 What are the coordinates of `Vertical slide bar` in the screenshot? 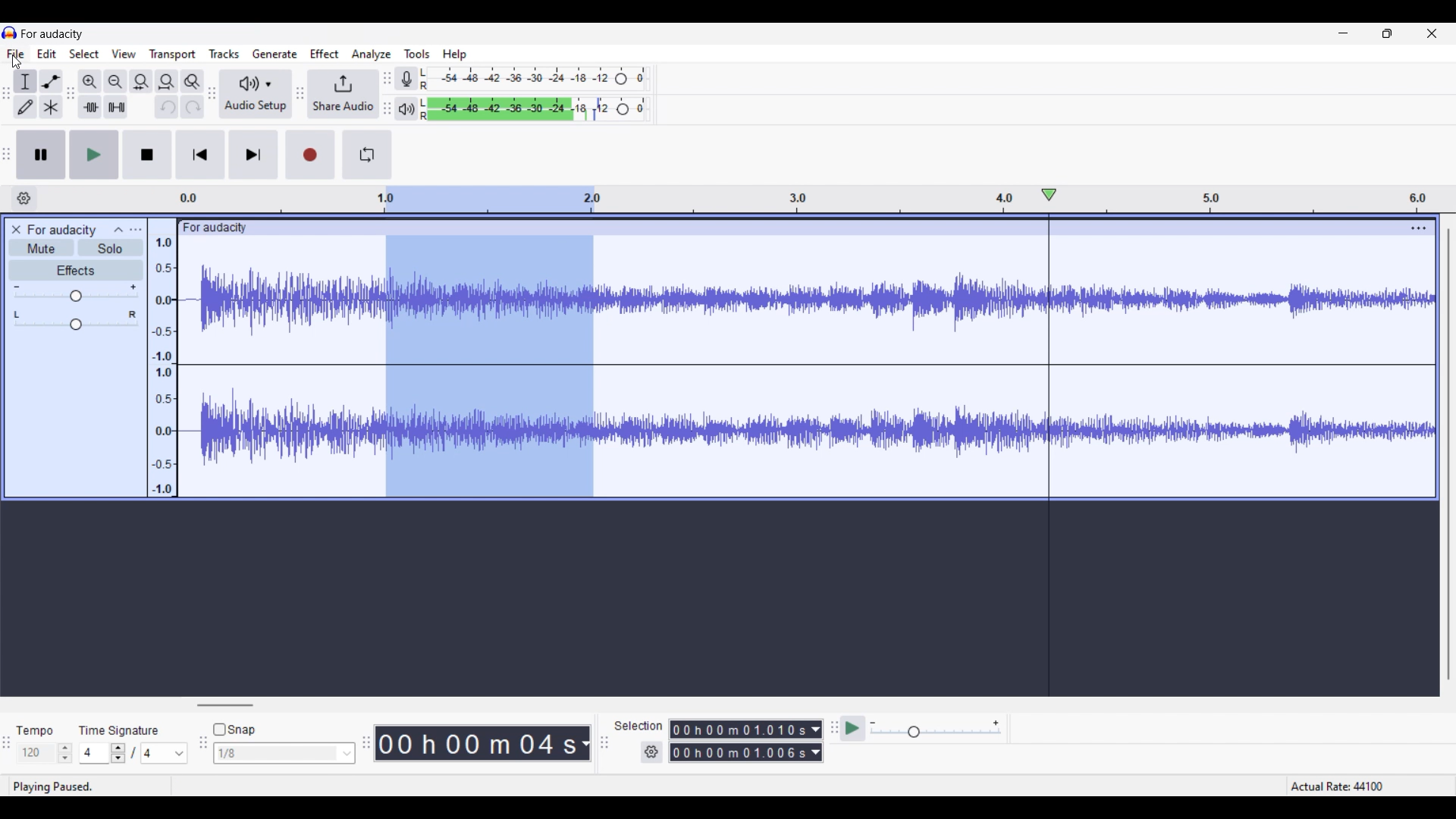 It's located at (1448, 453).